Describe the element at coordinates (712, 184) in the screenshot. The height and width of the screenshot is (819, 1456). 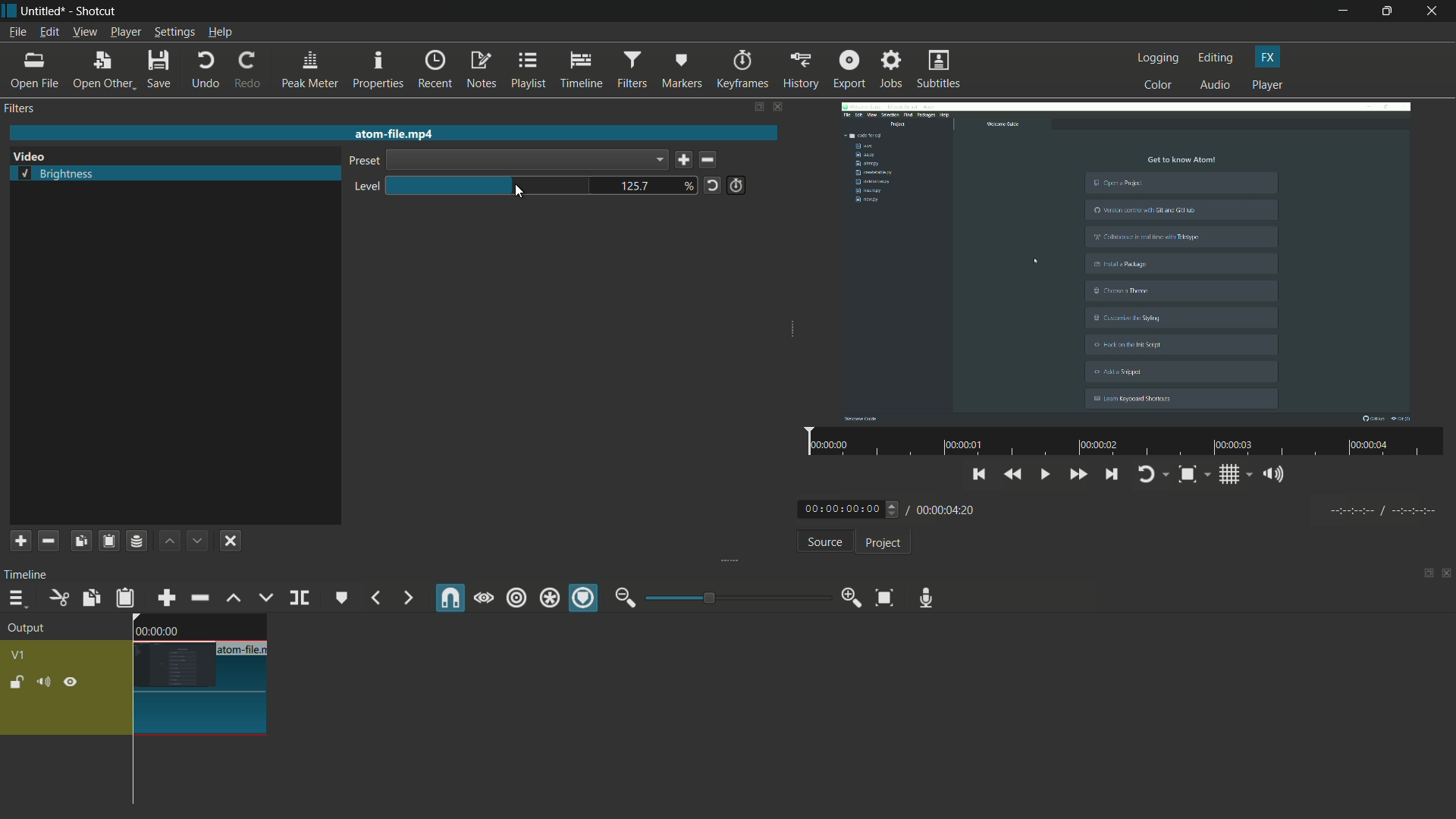
I see `reset to default` at that location.